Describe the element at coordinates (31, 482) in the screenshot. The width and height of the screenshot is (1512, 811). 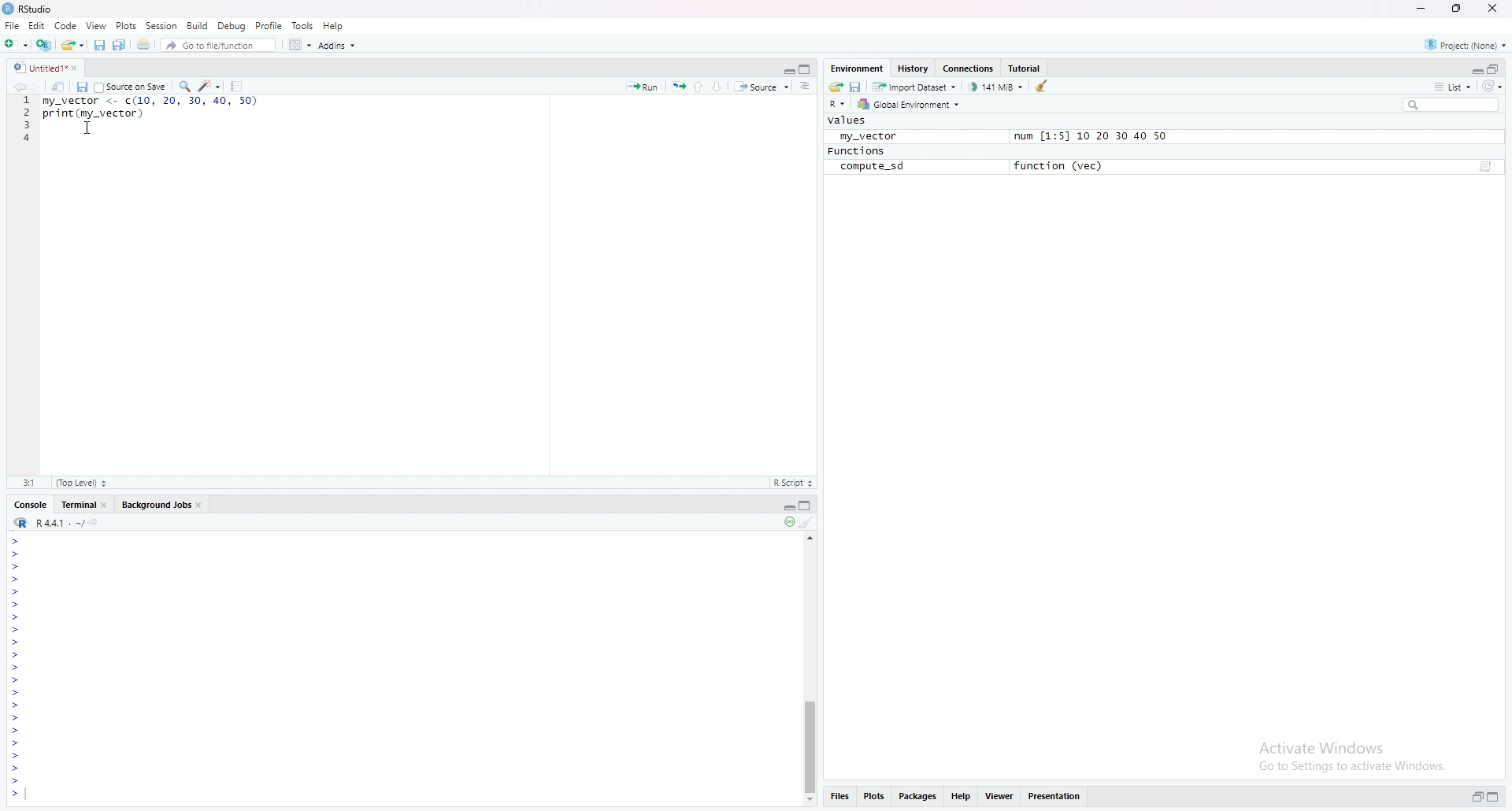
I see `3:1` at that location.